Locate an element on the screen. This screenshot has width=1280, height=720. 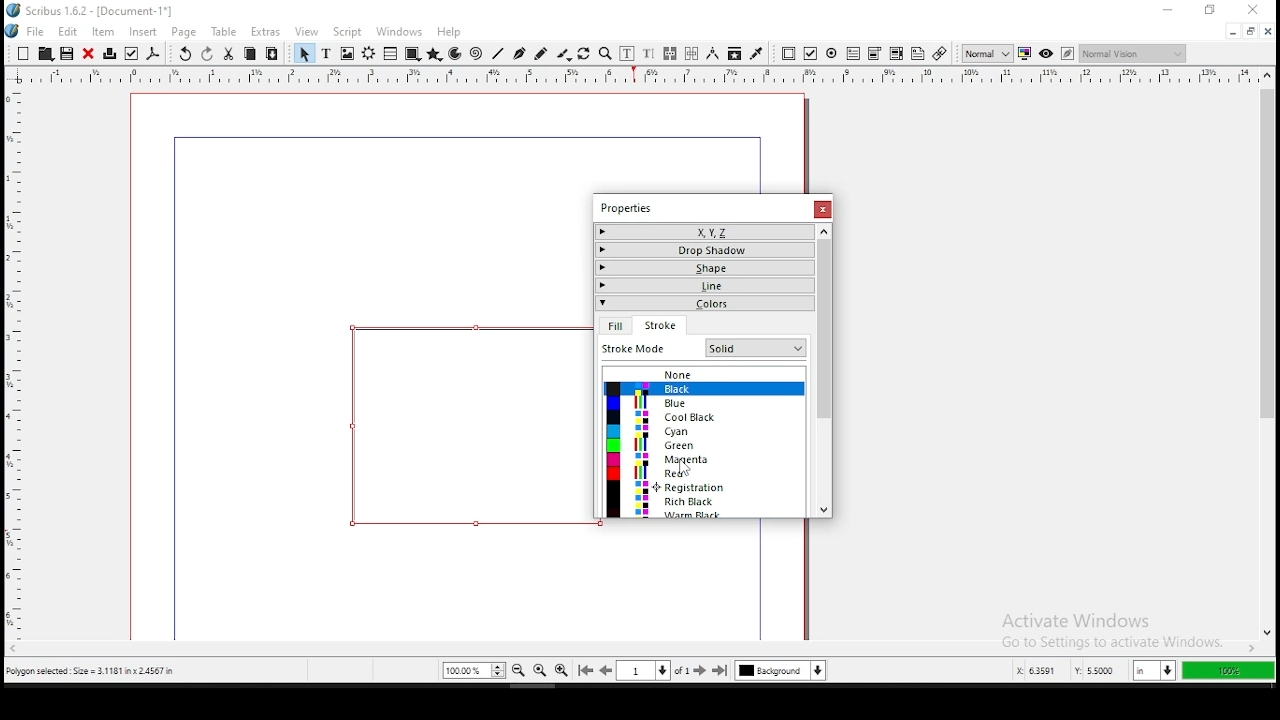
scroll bar is located at coordinates (1266, 354).